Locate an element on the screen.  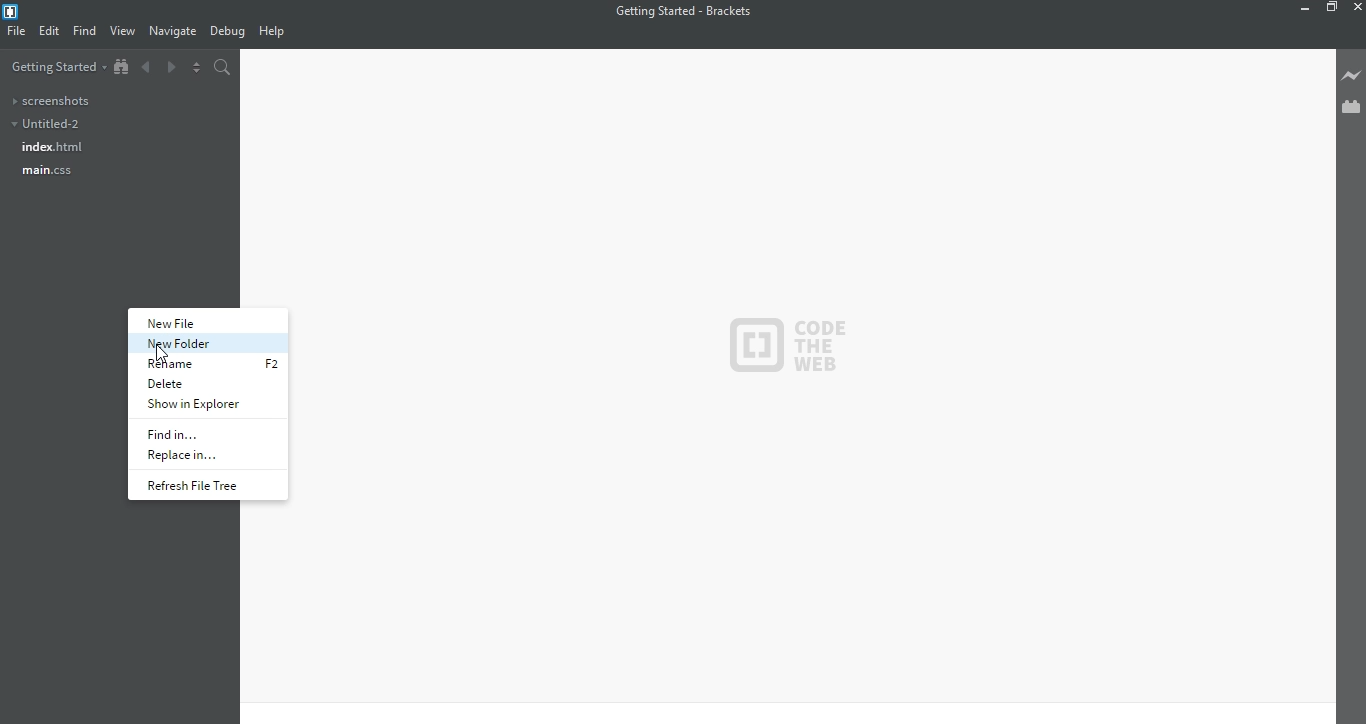
new folder is located at coordinates (188, 344).